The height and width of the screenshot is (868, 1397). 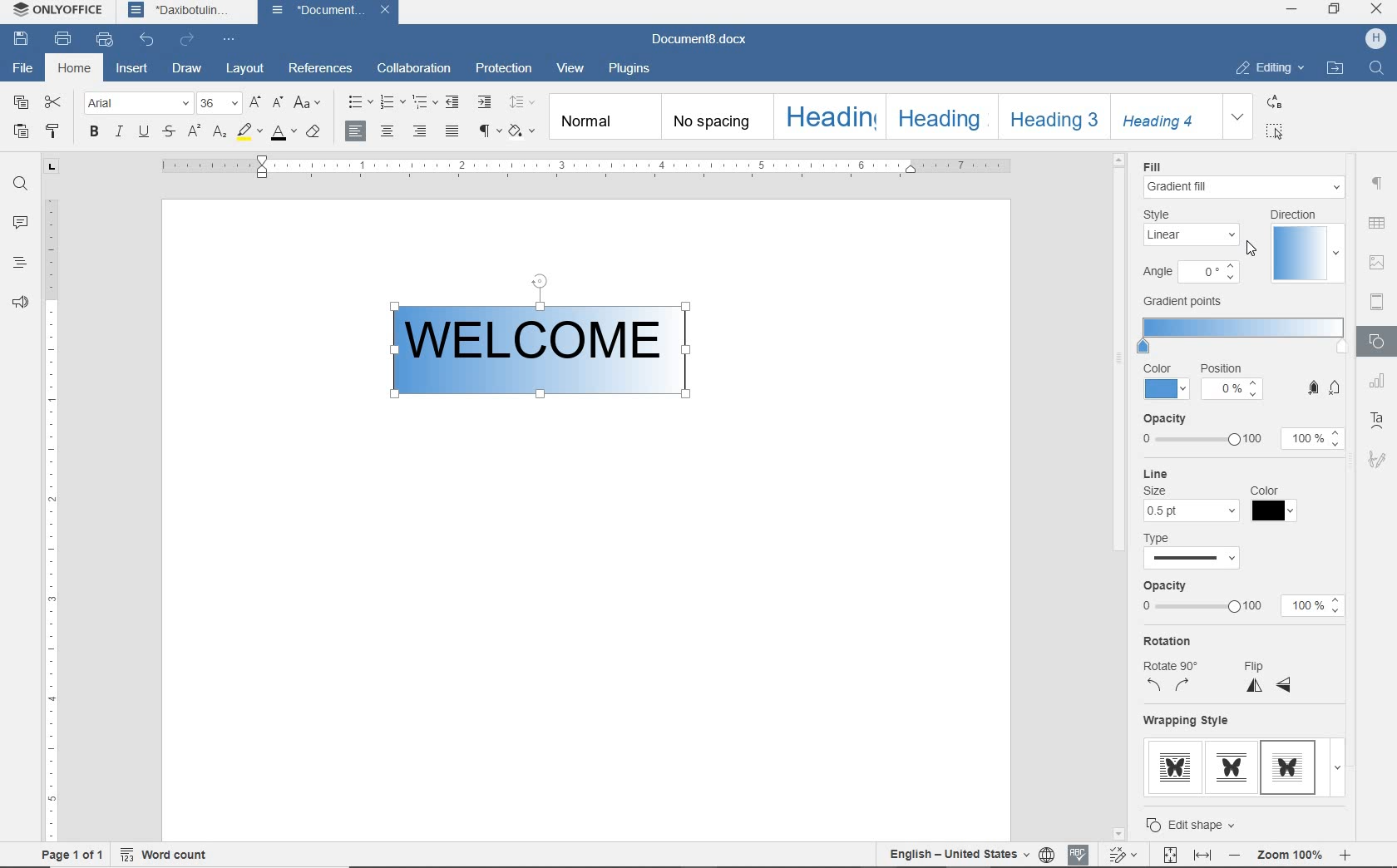 I want to click on EXPAND, so click(x=1239, y=116).